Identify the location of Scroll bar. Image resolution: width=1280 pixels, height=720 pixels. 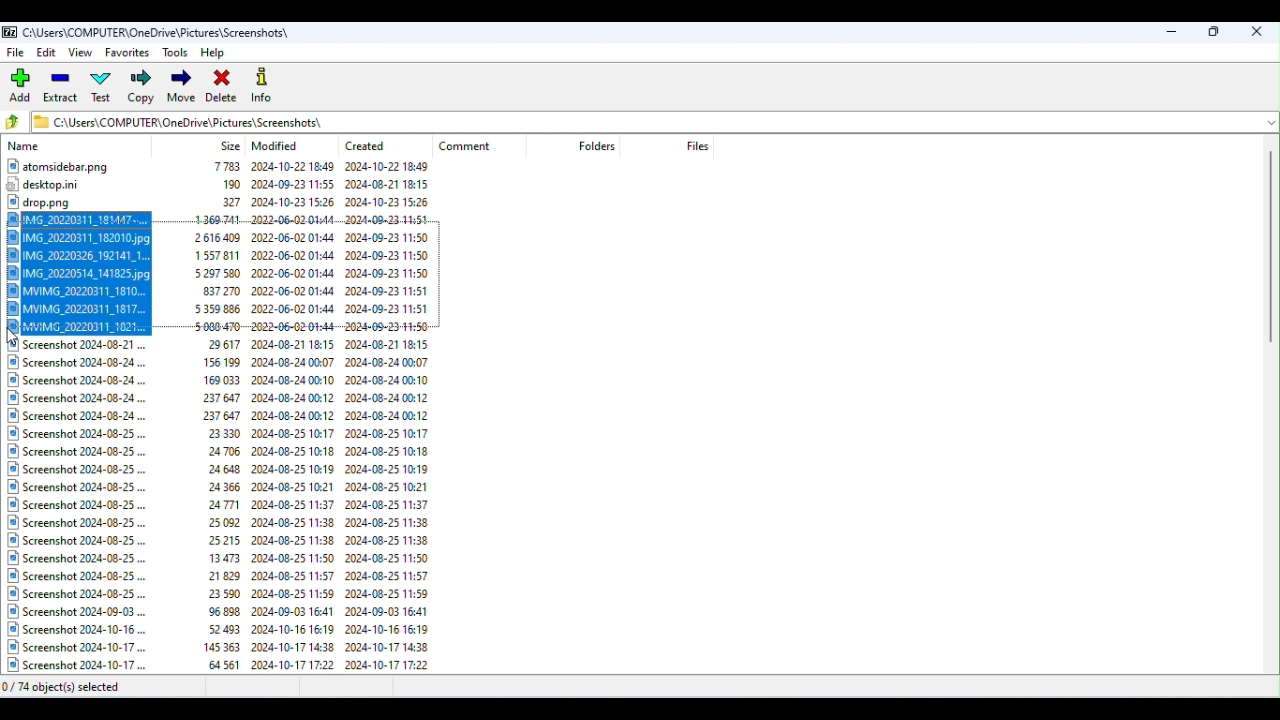
(1272, 407).